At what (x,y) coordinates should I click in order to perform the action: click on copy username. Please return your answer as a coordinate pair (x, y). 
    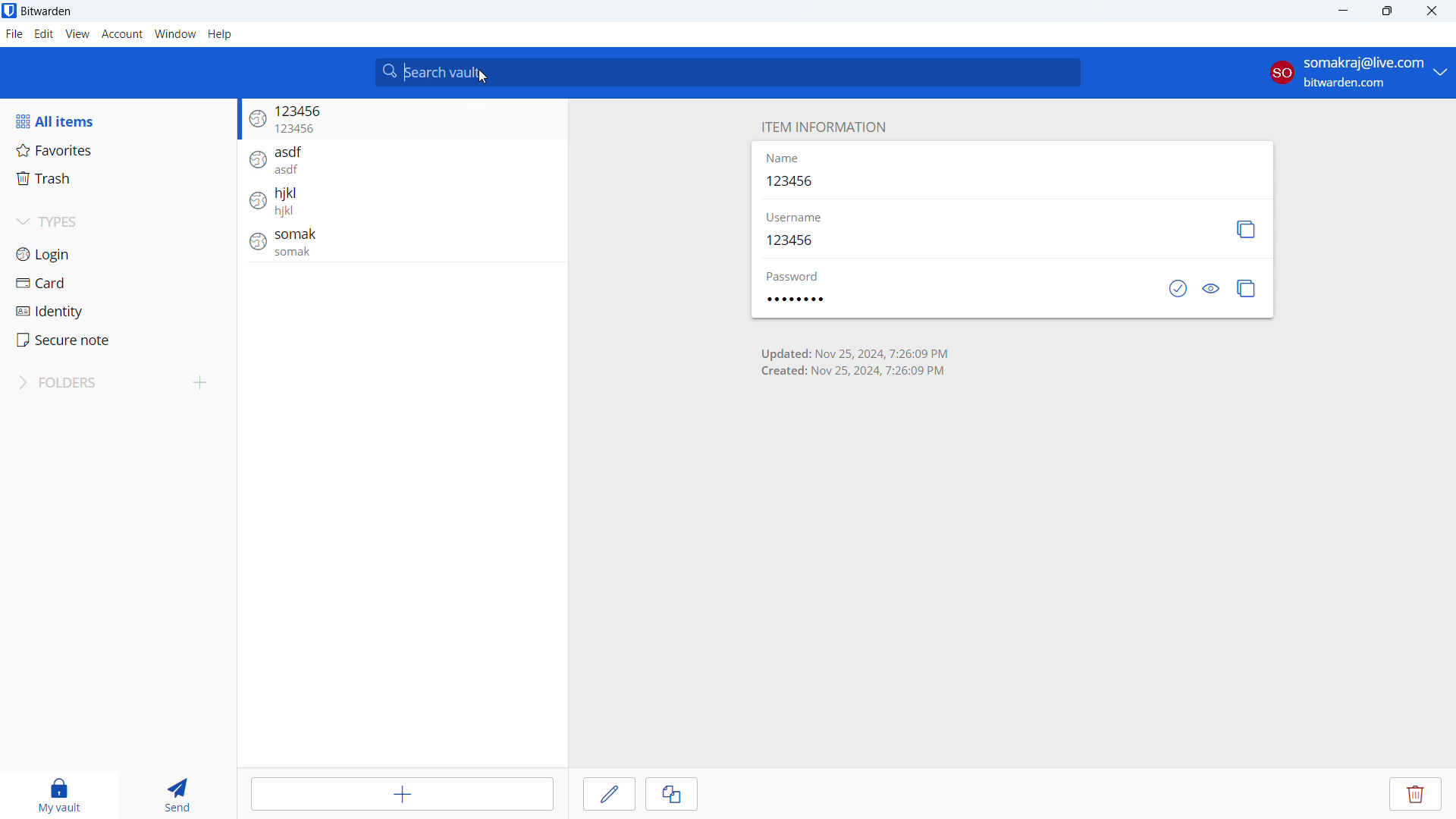
    Looking at the image, I should click on (1245, 230).